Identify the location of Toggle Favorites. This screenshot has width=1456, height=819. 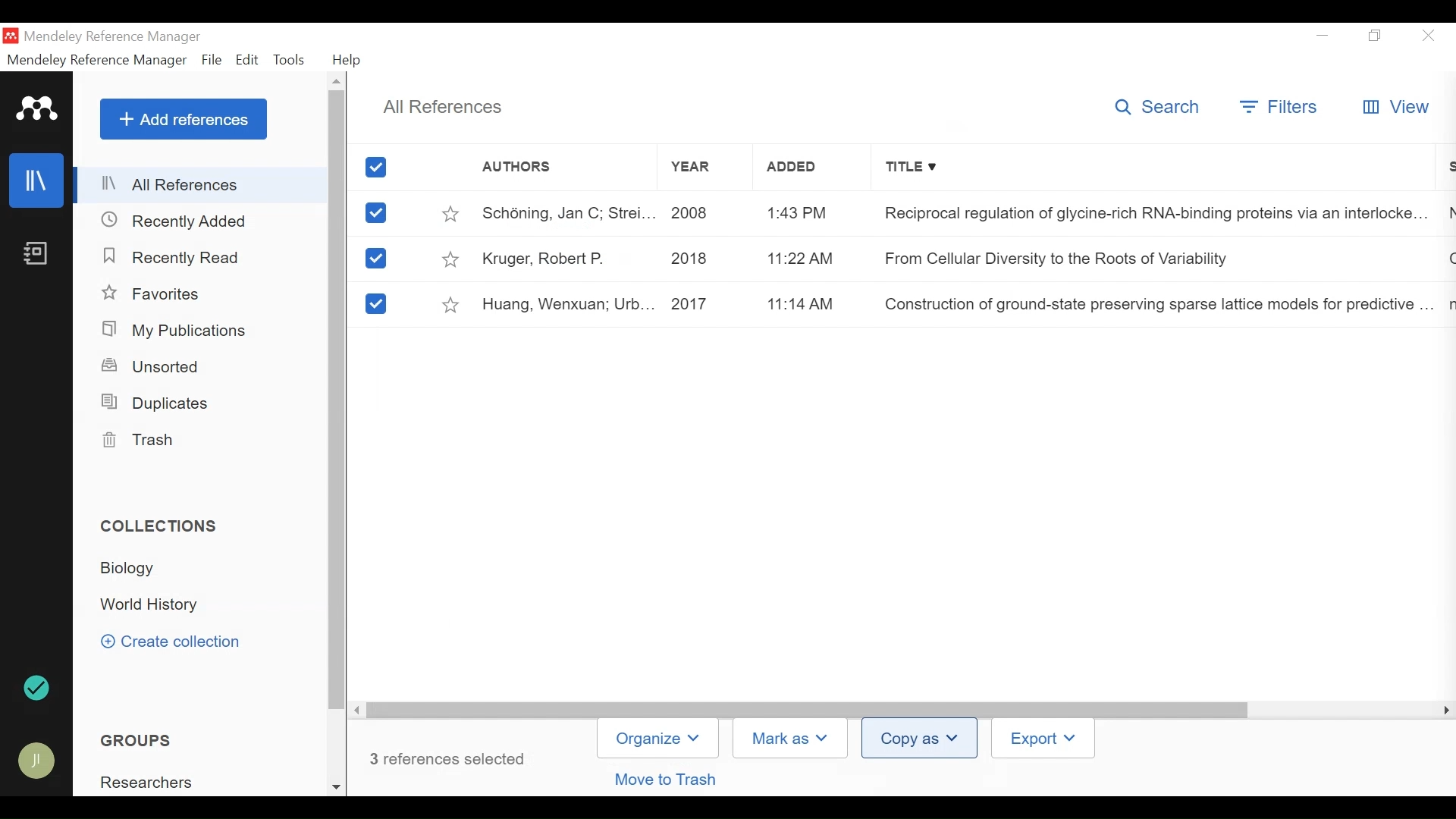
(450, 303).